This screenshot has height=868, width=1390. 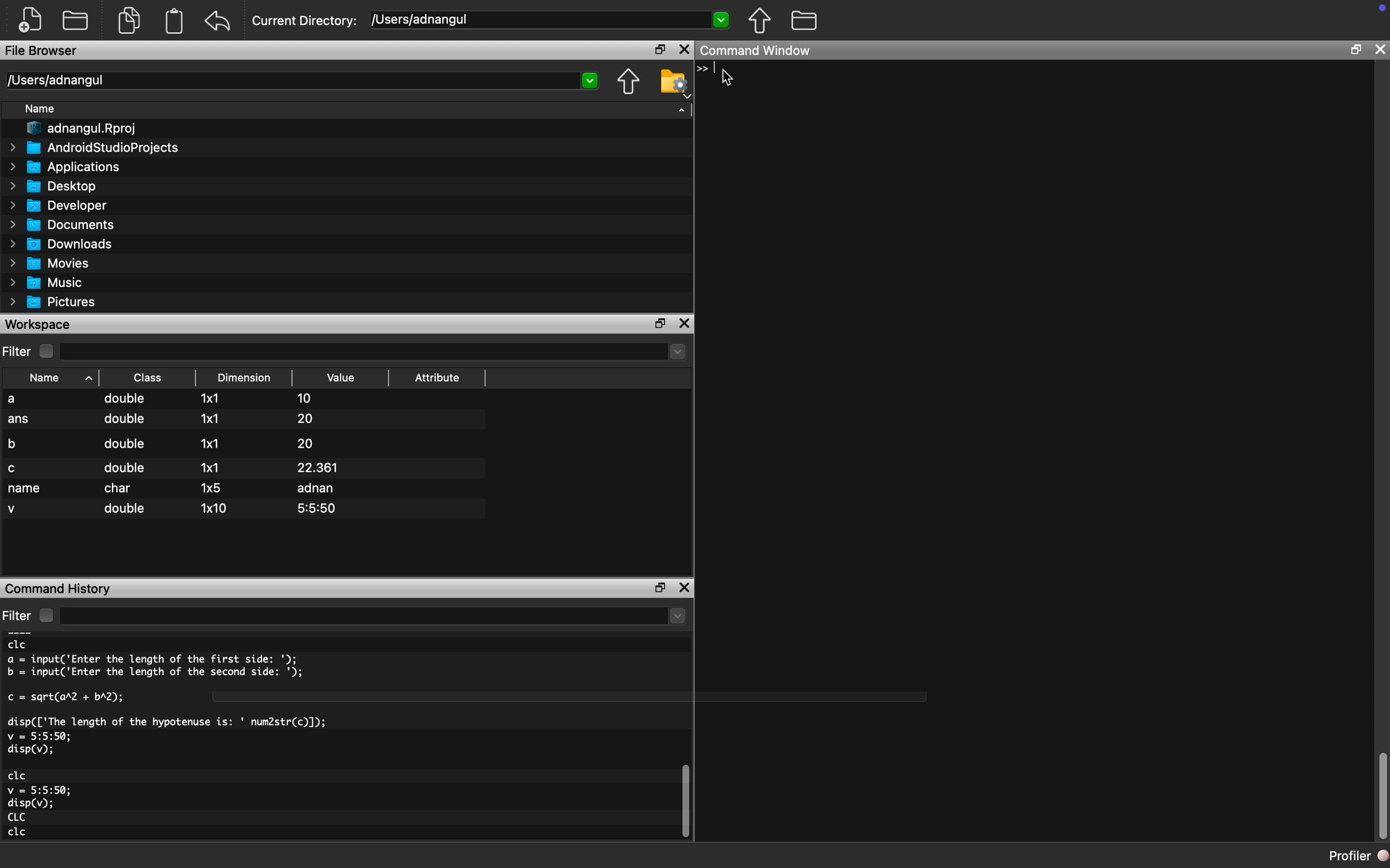 What do you see at coordinates (1375, 787) in the screenshot?
I see `Scrollbar` at bounding box center [1375, 787].